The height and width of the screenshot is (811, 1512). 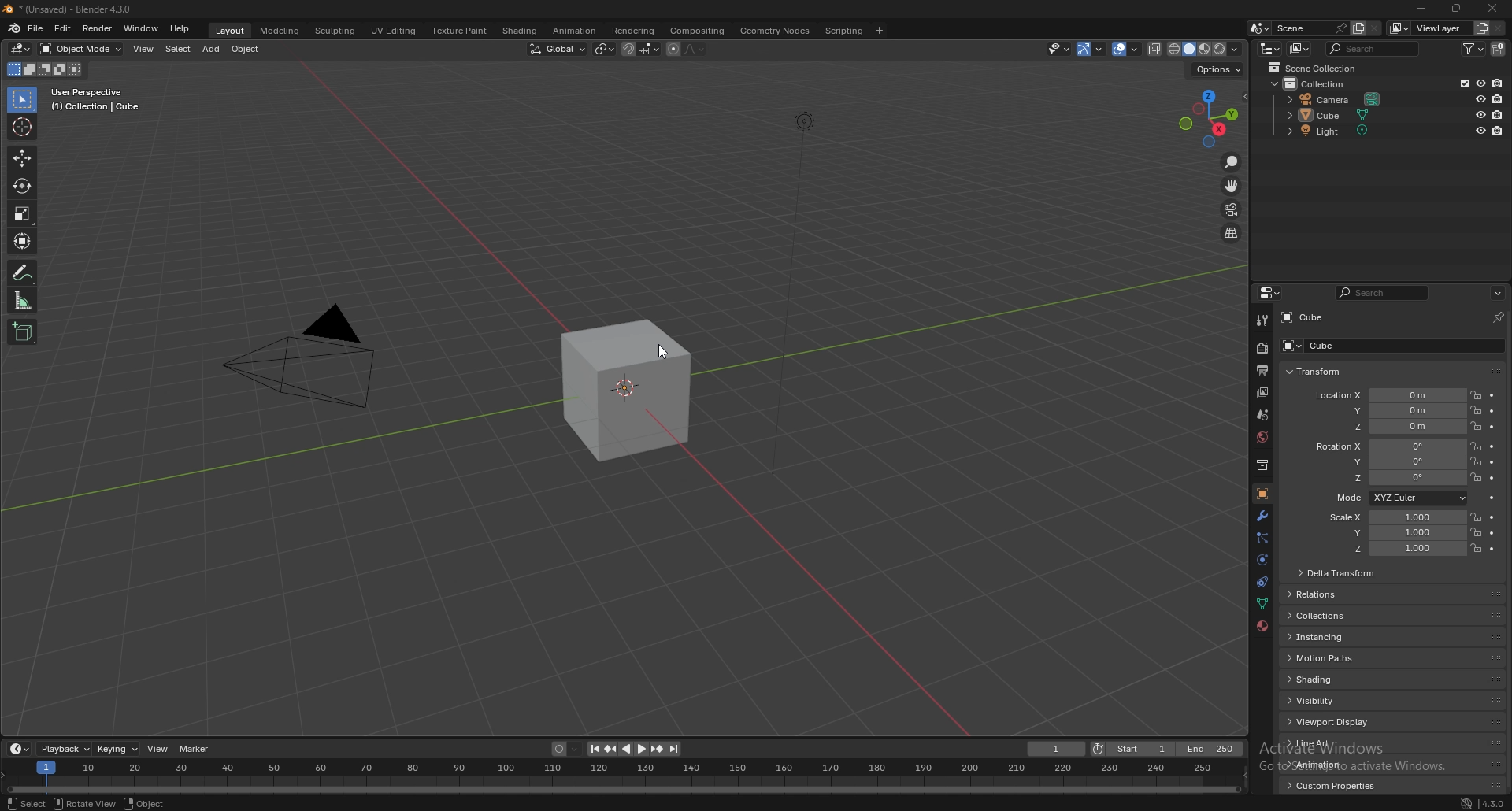 What do you see at coordinates (1494, 805) in the screenshot?
I see `version` at bounding box center [1494, 805].